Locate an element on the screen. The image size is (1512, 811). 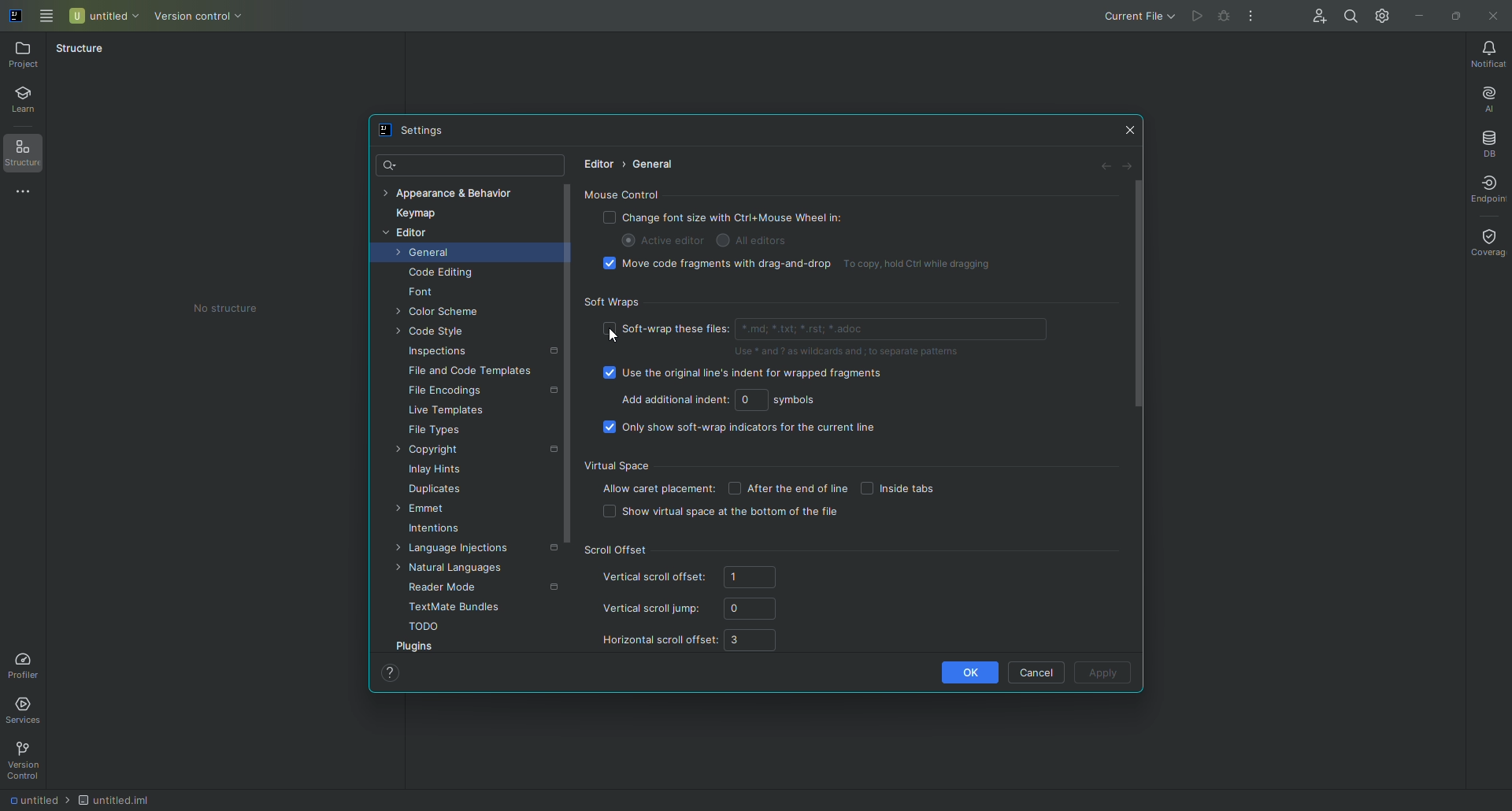
Font is located at coordinates (422, 294).